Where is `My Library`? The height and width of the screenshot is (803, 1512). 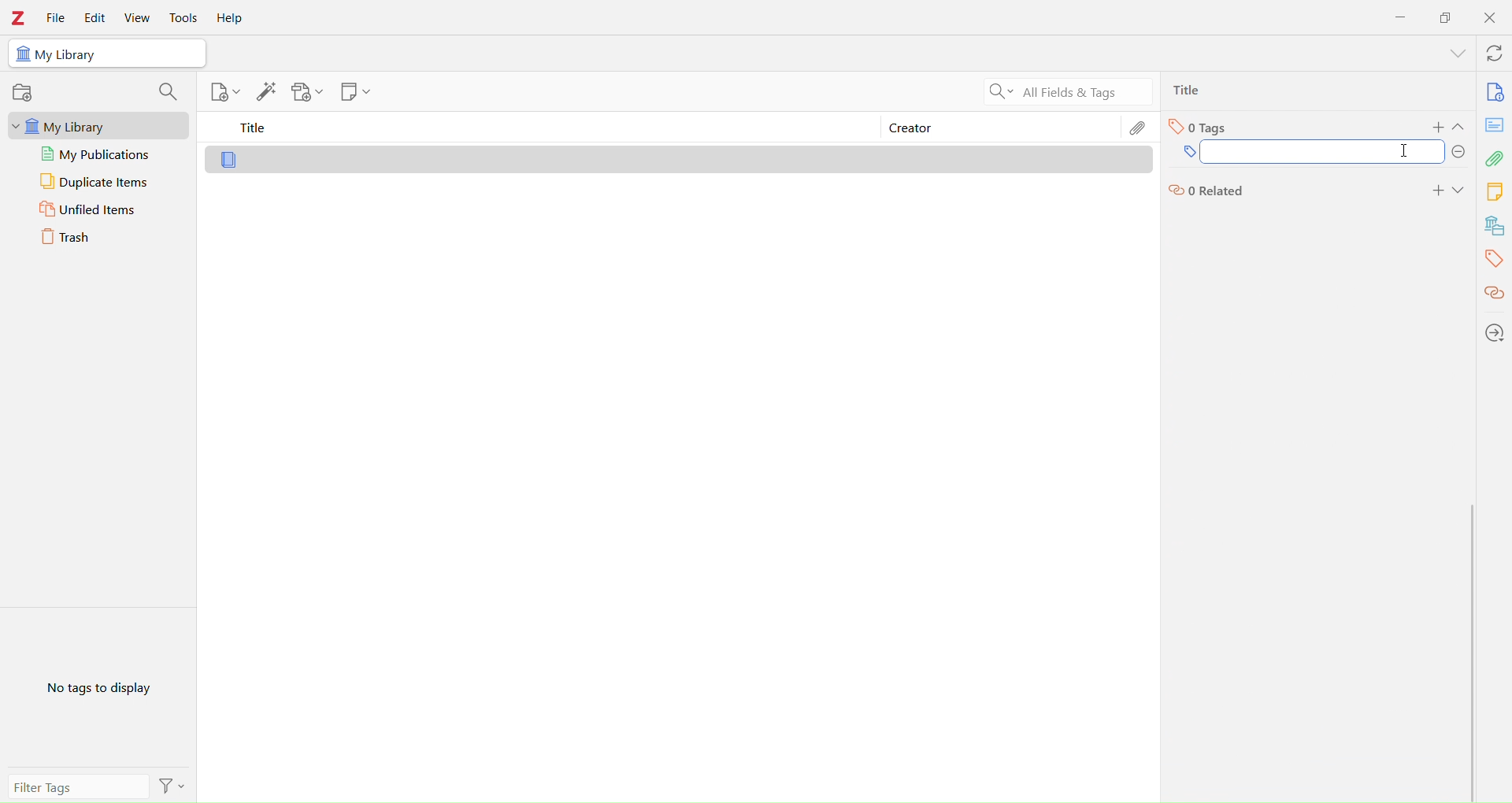 My Library is located at coordinates (98, 126).